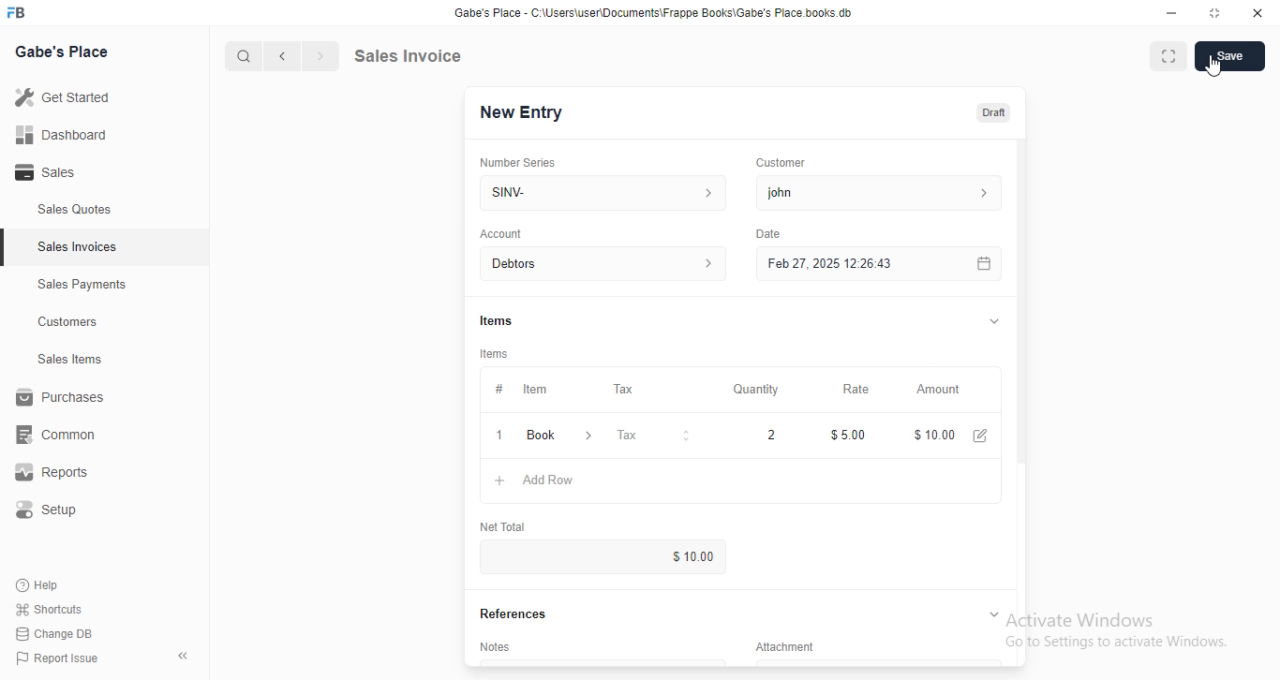 This screenshot has height=680, width=1280. Describe the element at coordinates (943, 390) in the screenshot. I see `Amount` at that location.